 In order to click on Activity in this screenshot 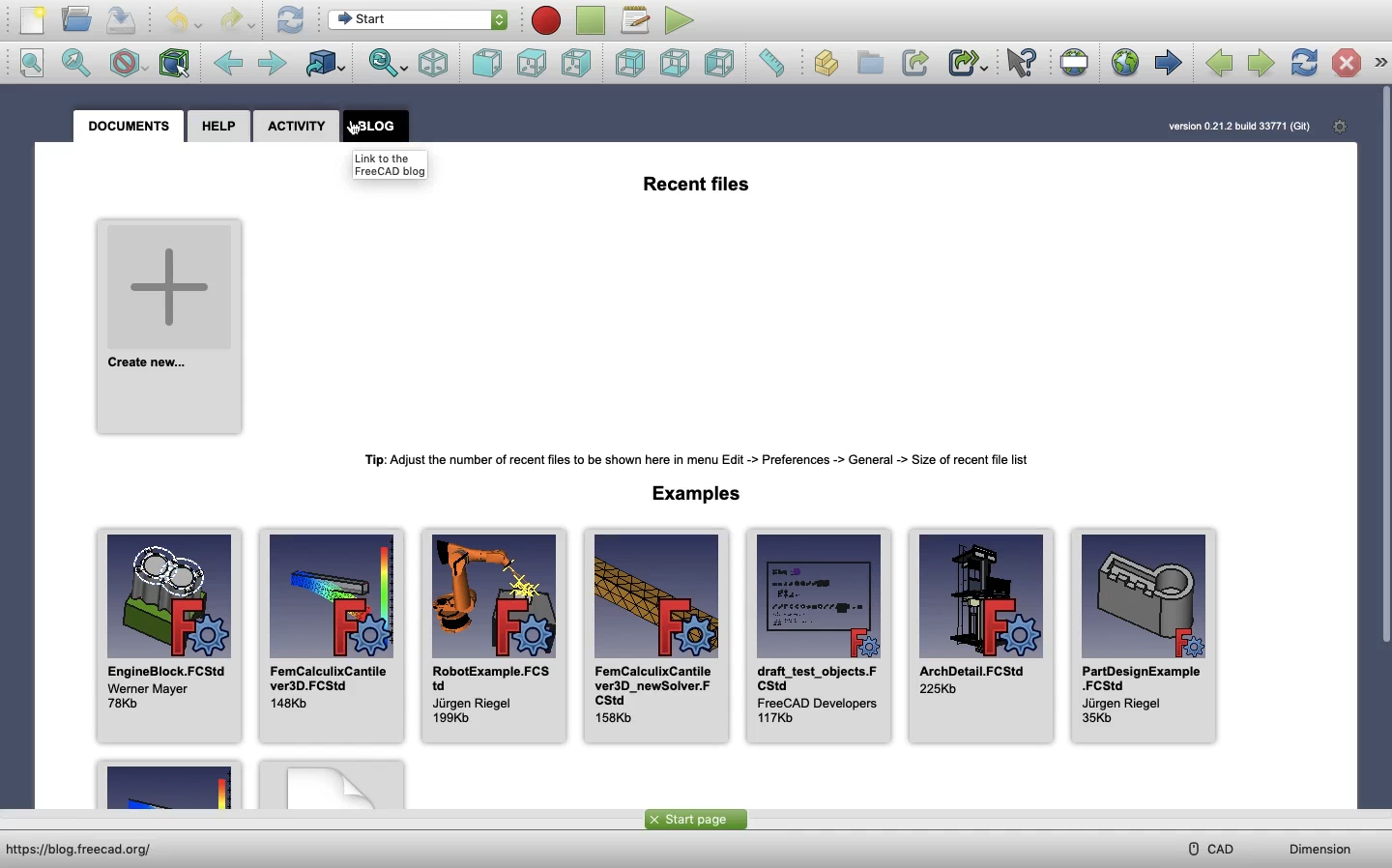, I will do `click(296, 127)`.